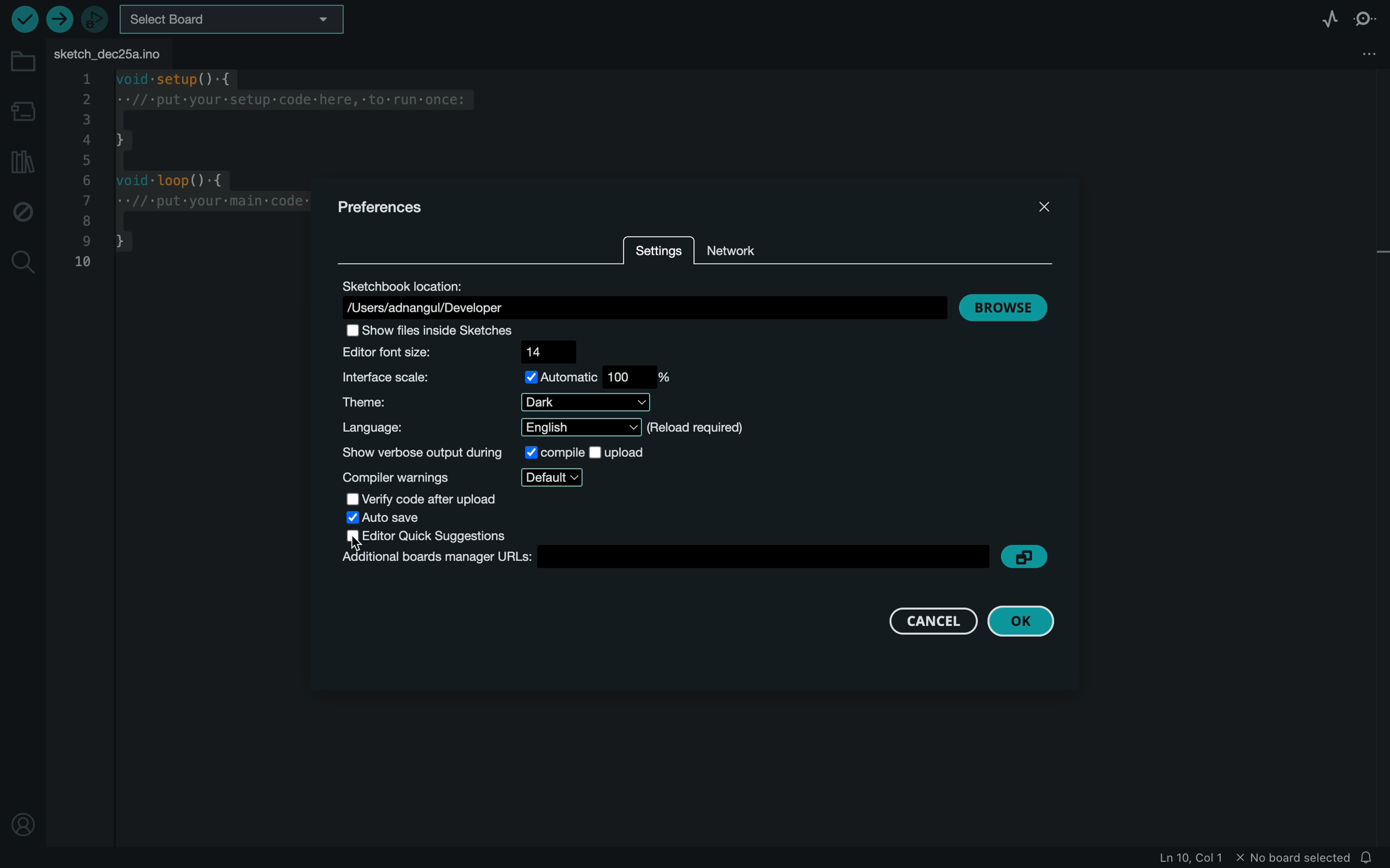 Image resolution: width=1390 pixels, height=868 pixels. What do you see at coordinates (187, 177) in the screenshot?
I see `code` at bounding box center [187, 177].